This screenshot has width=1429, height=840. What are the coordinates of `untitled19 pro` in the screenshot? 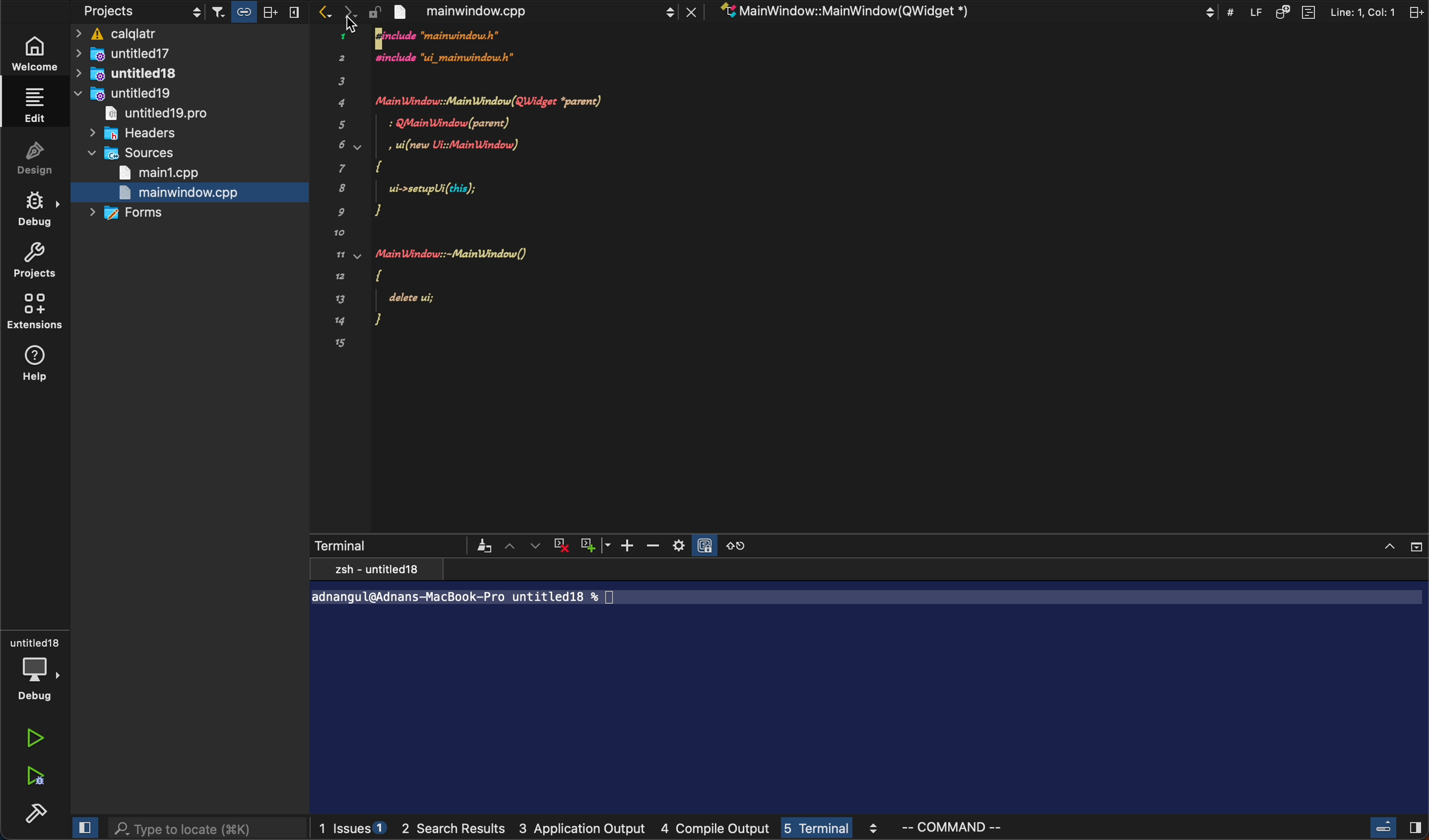 It's located at (171, 114).